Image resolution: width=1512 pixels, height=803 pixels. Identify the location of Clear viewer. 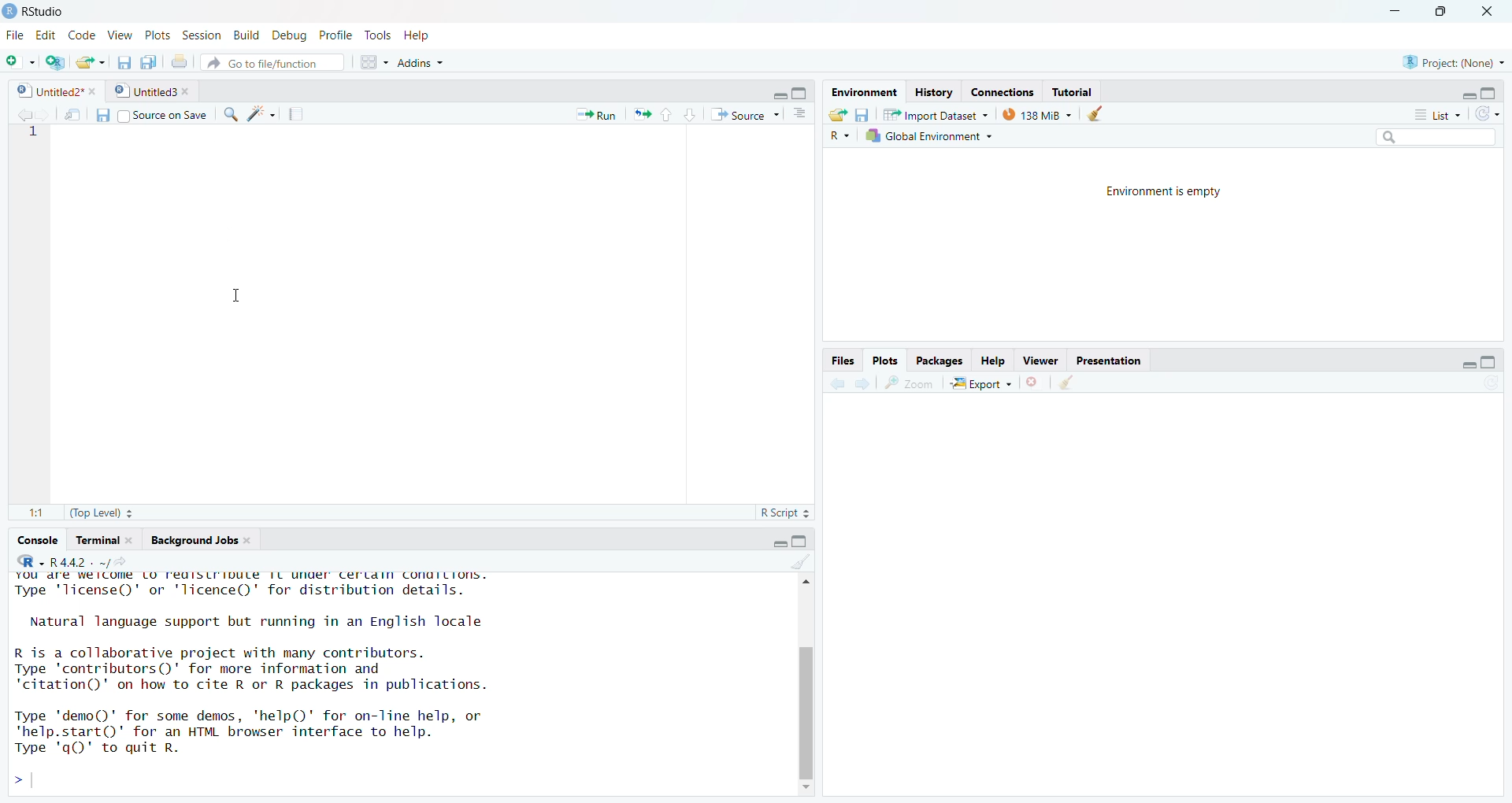
(1076, 383).